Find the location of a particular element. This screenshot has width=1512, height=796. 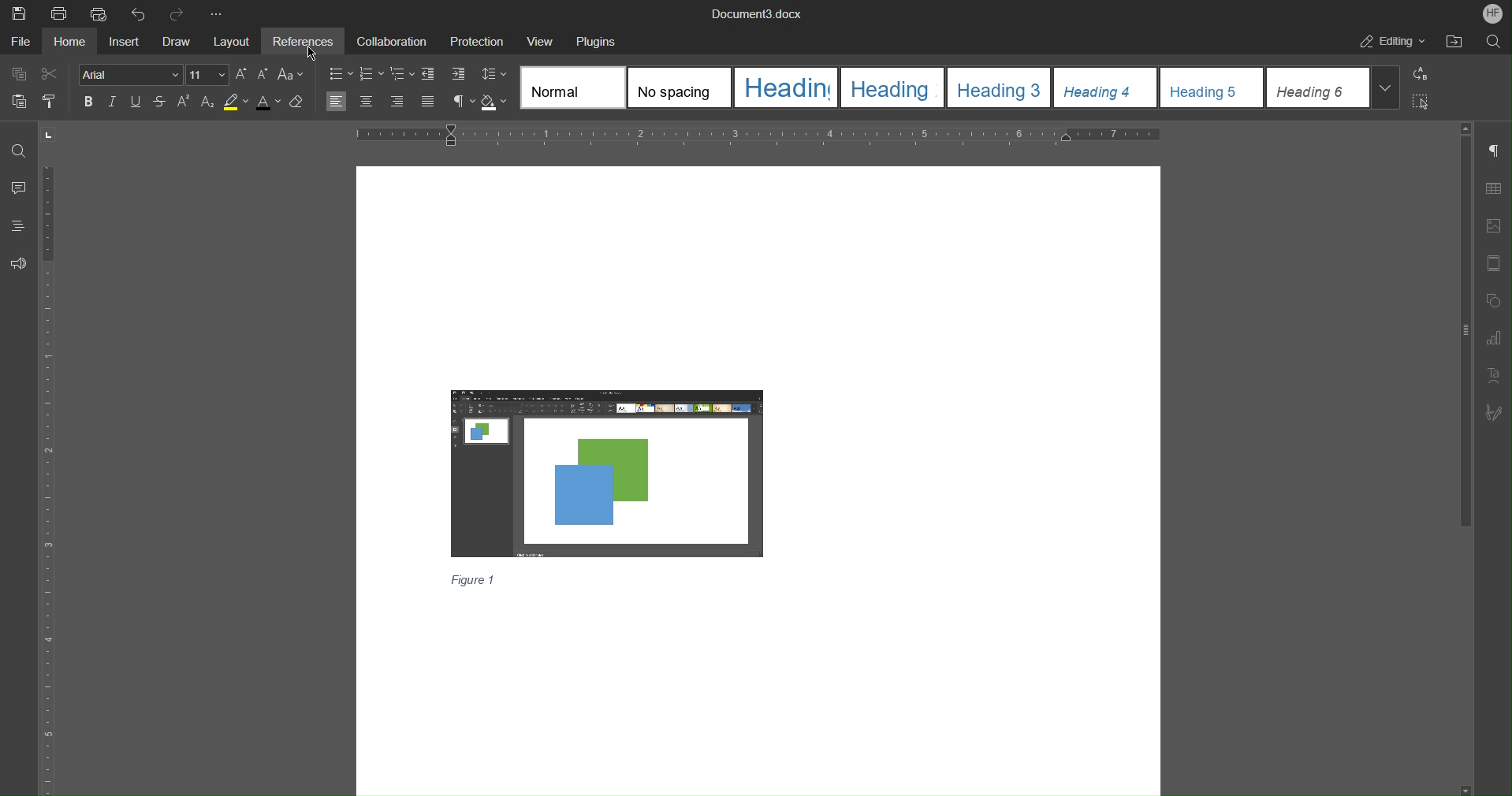

Decrease indent is located at coordinates (426, 74).